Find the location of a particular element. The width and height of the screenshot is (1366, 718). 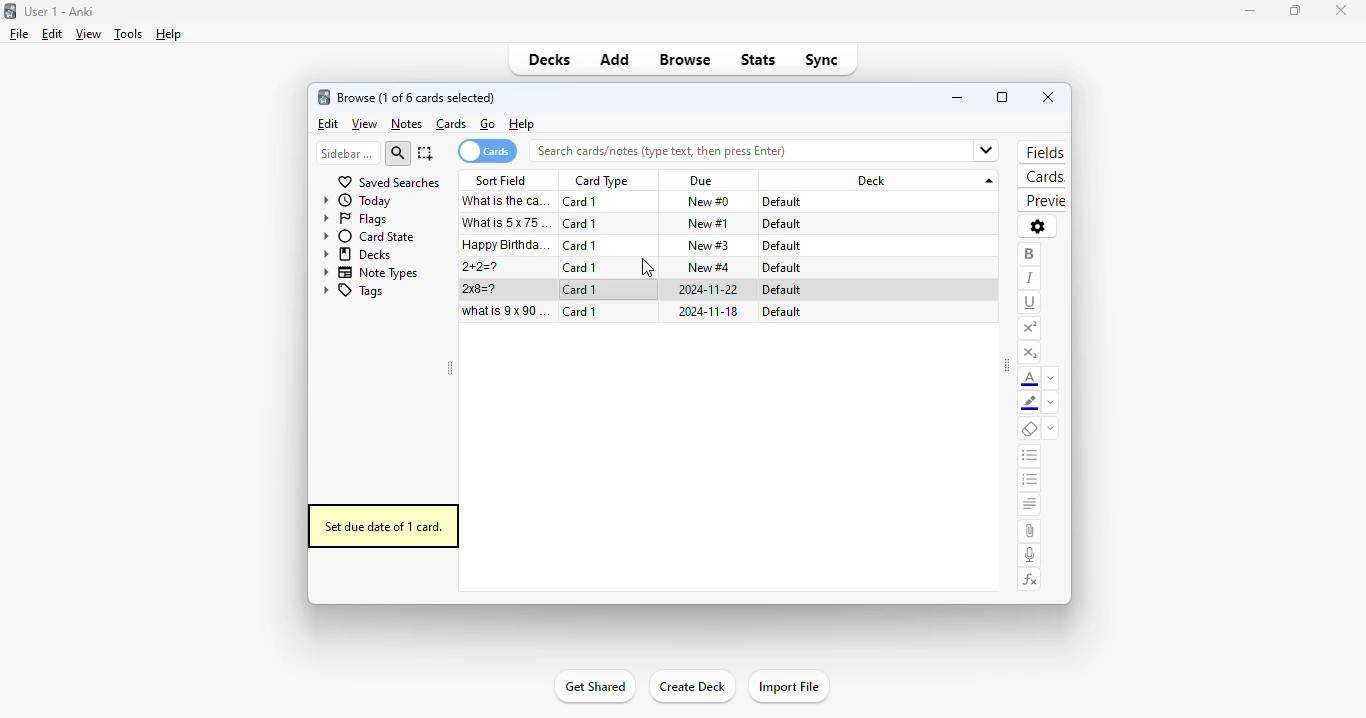

view is located at coordinates (87, 34).